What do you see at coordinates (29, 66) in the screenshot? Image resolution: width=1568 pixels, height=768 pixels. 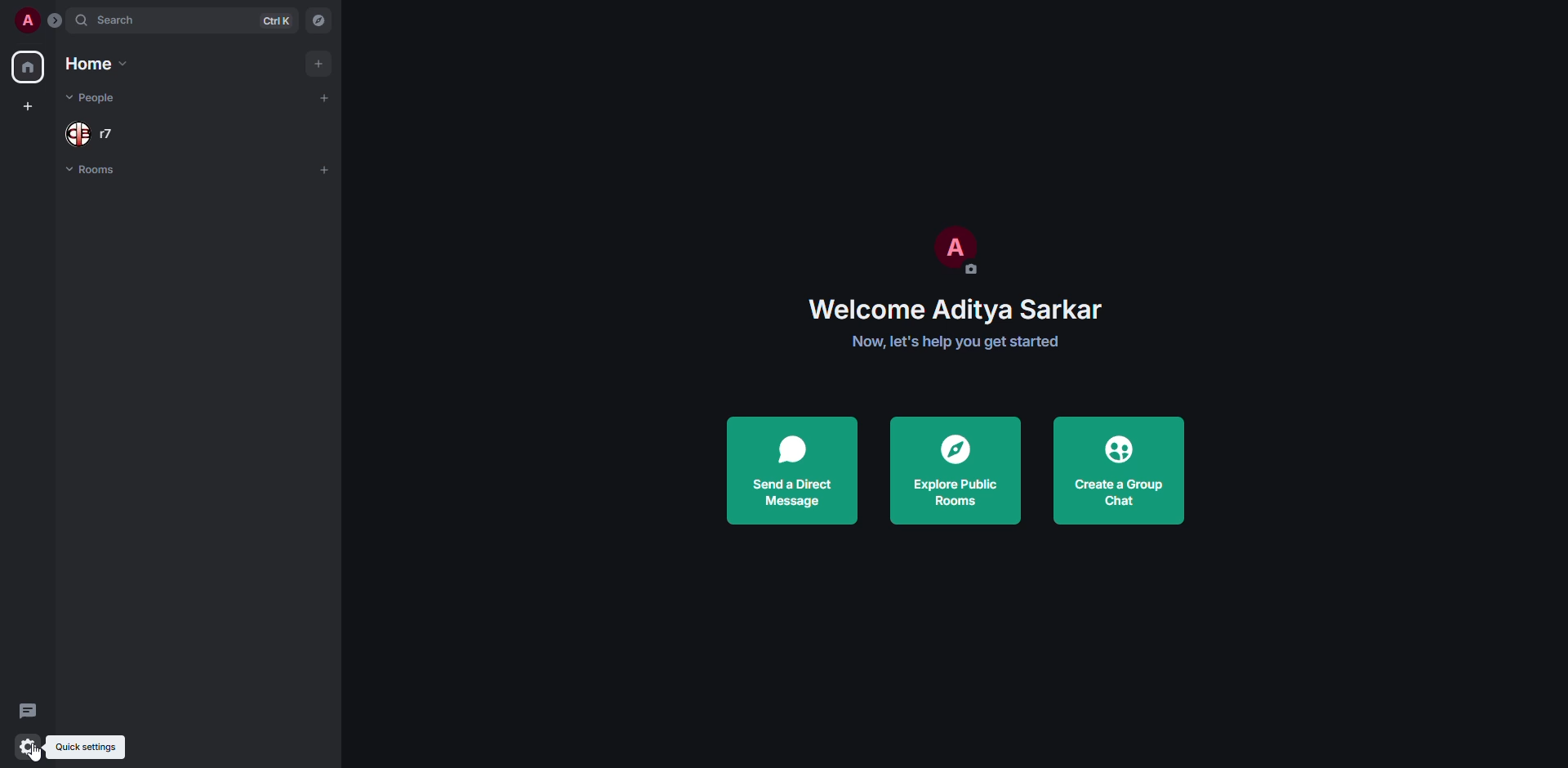 I see `home` at bounding box center [29, 66].